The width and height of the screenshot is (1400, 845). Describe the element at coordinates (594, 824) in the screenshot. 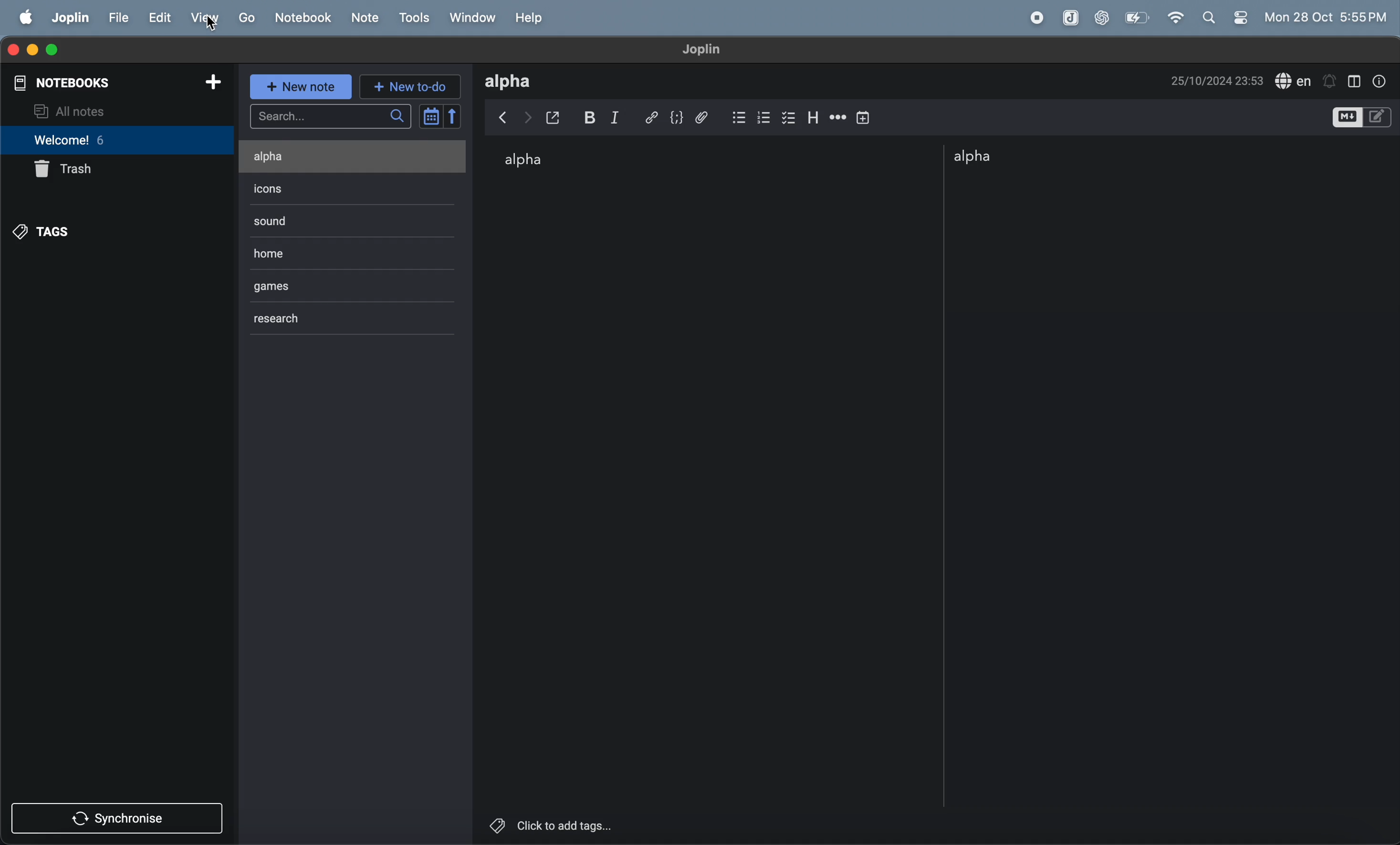

I see `click to add tags` at that location.